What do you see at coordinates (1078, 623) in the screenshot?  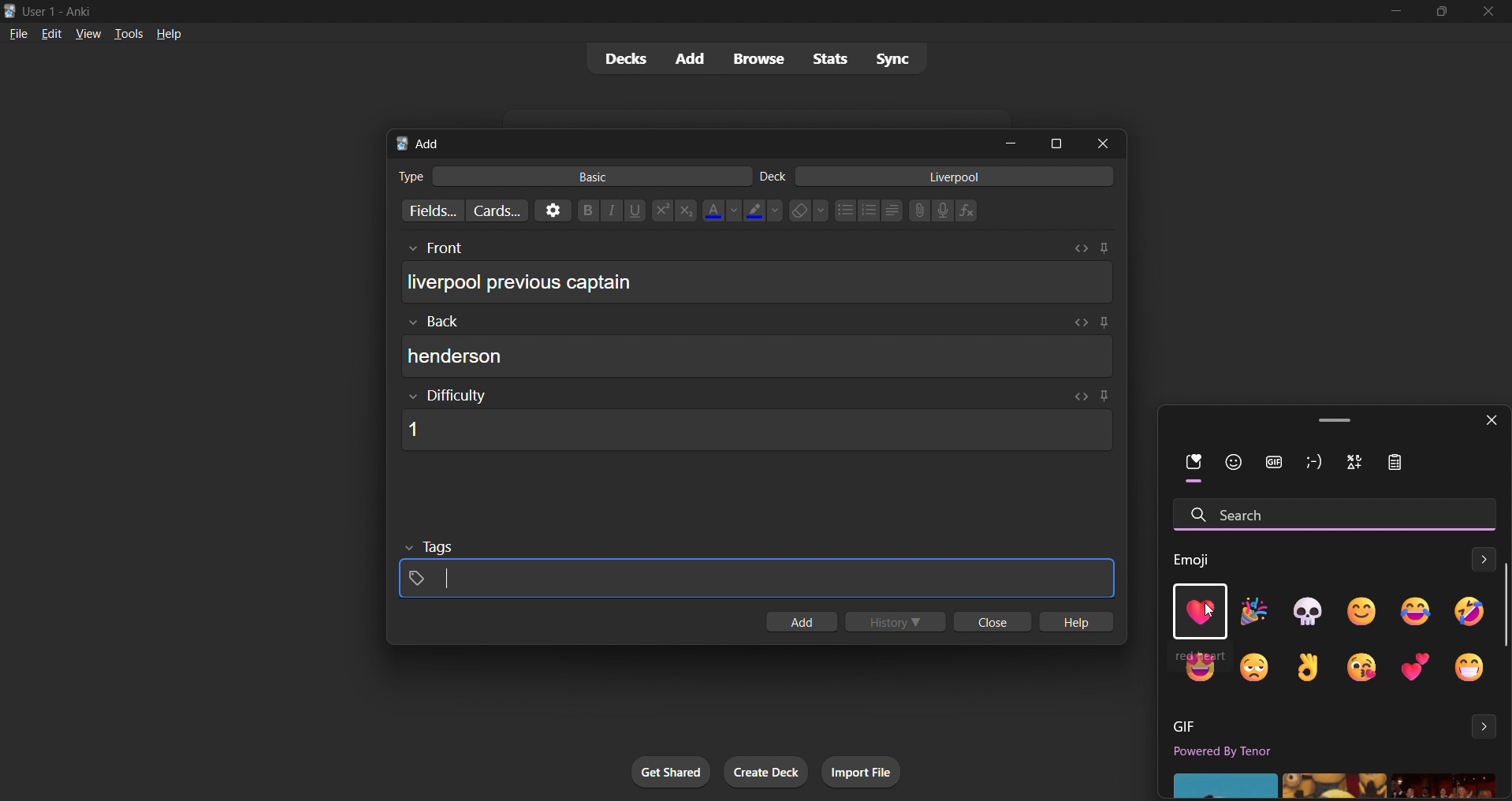 I see `hlep` at bounding box center [1078, 623].